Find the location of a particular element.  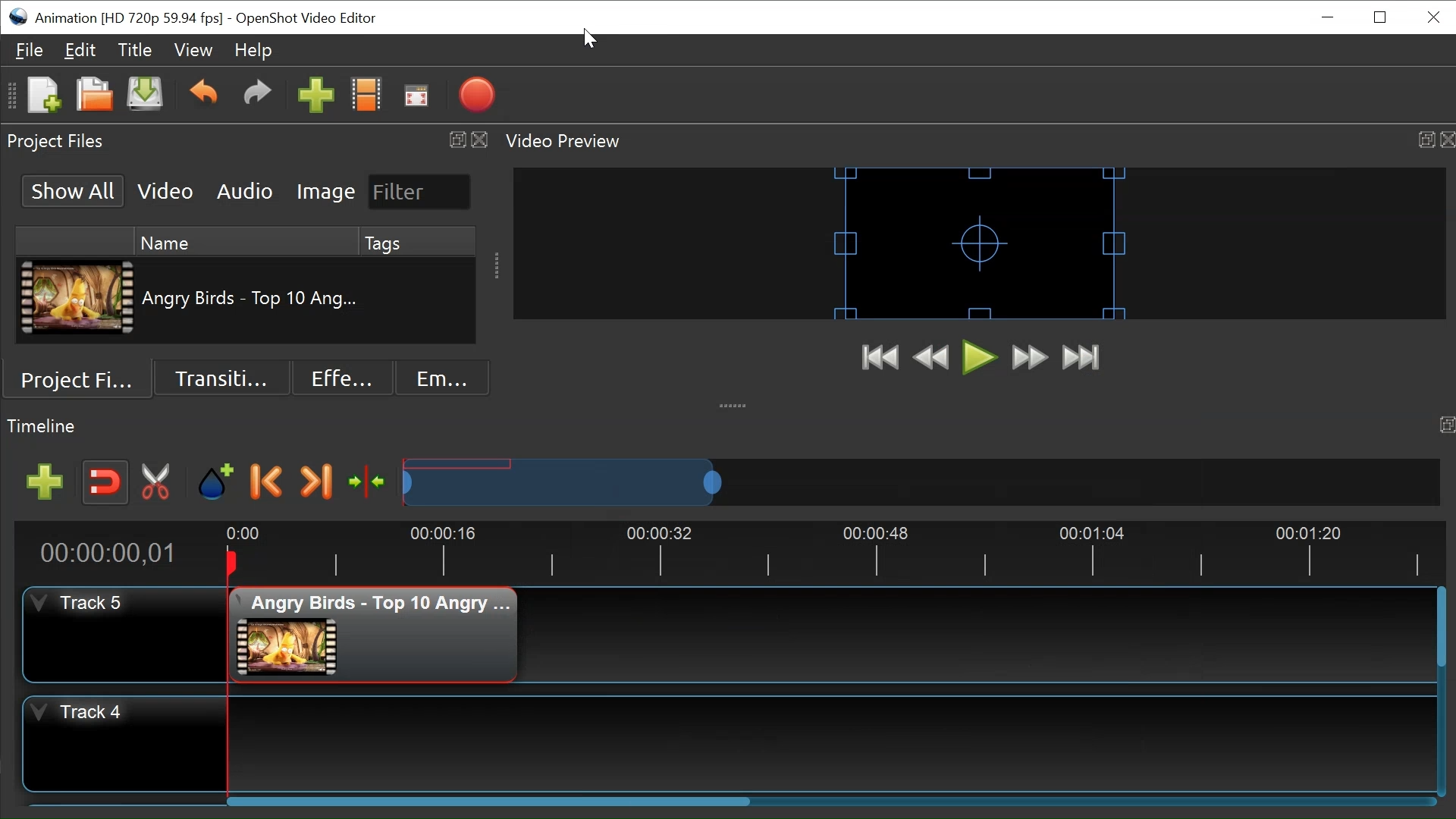

Clip Name is located at coordinates (249, 298).